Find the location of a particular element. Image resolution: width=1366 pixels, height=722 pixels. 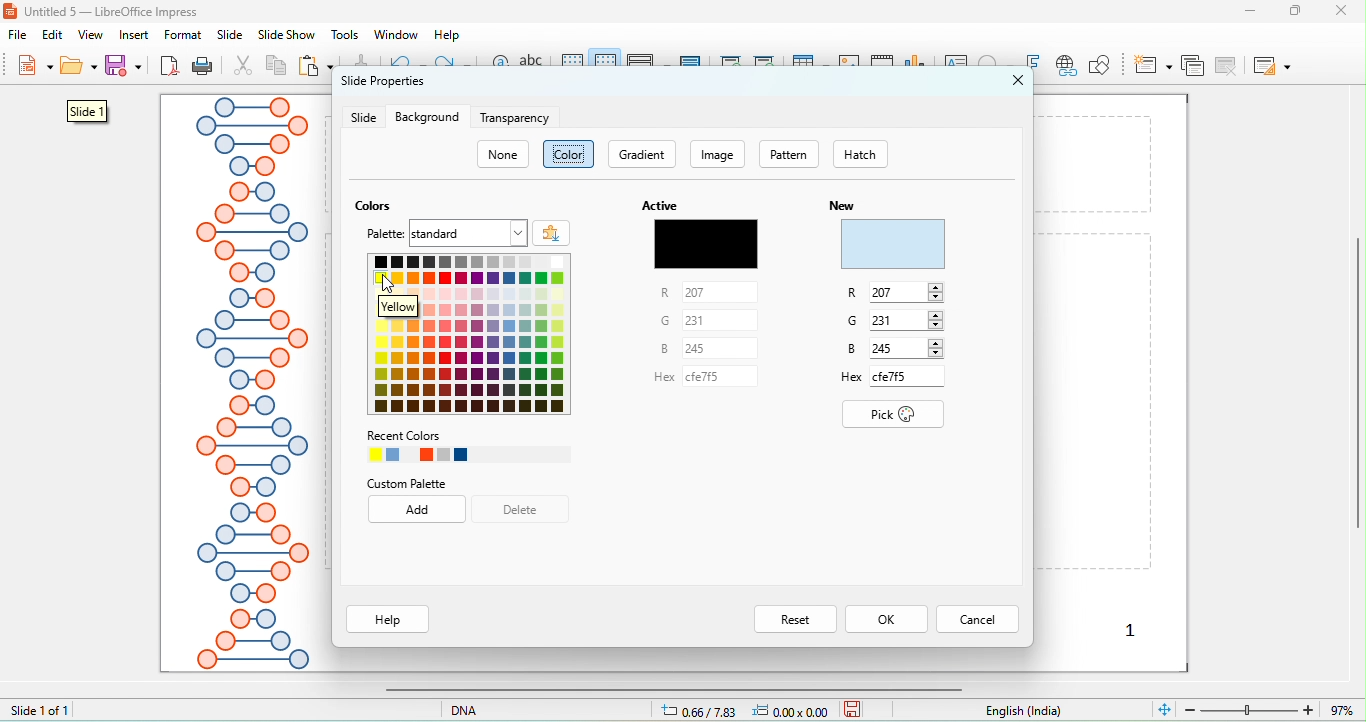

slide is located at coordinates (363, 118).